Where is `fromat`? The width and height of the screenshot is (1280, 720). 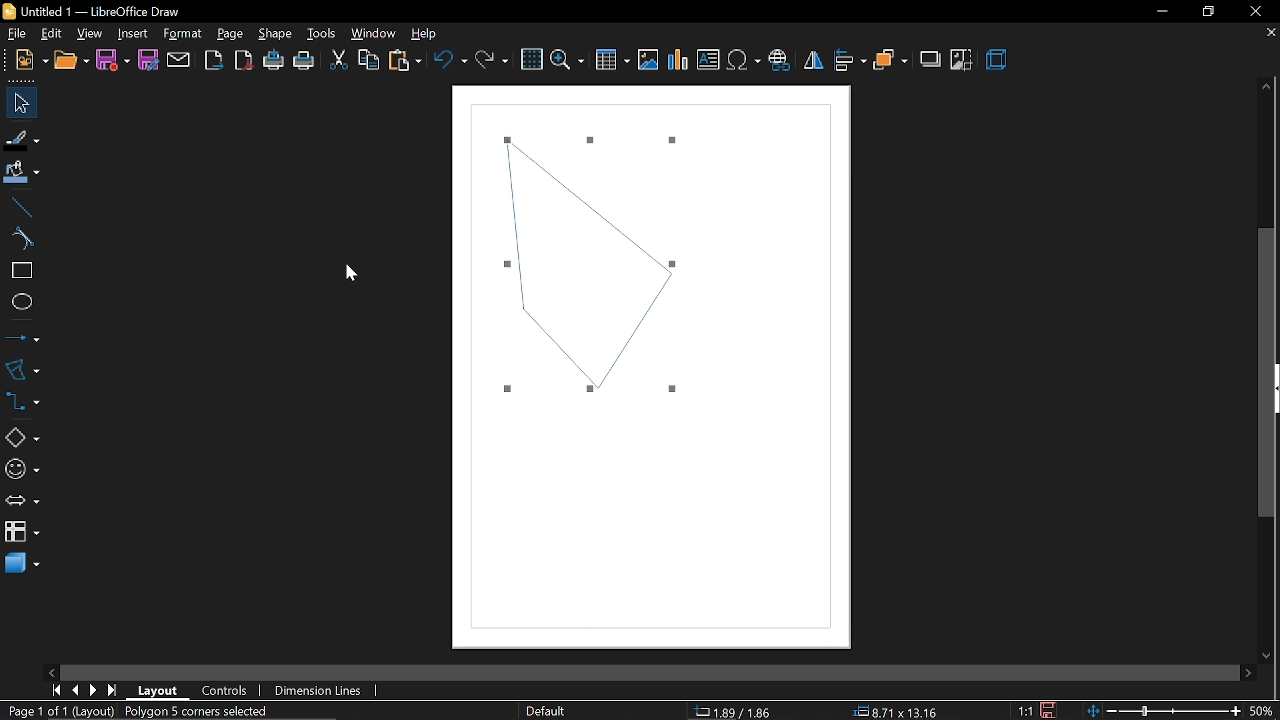
fromat is located at coordinates (182, 34).